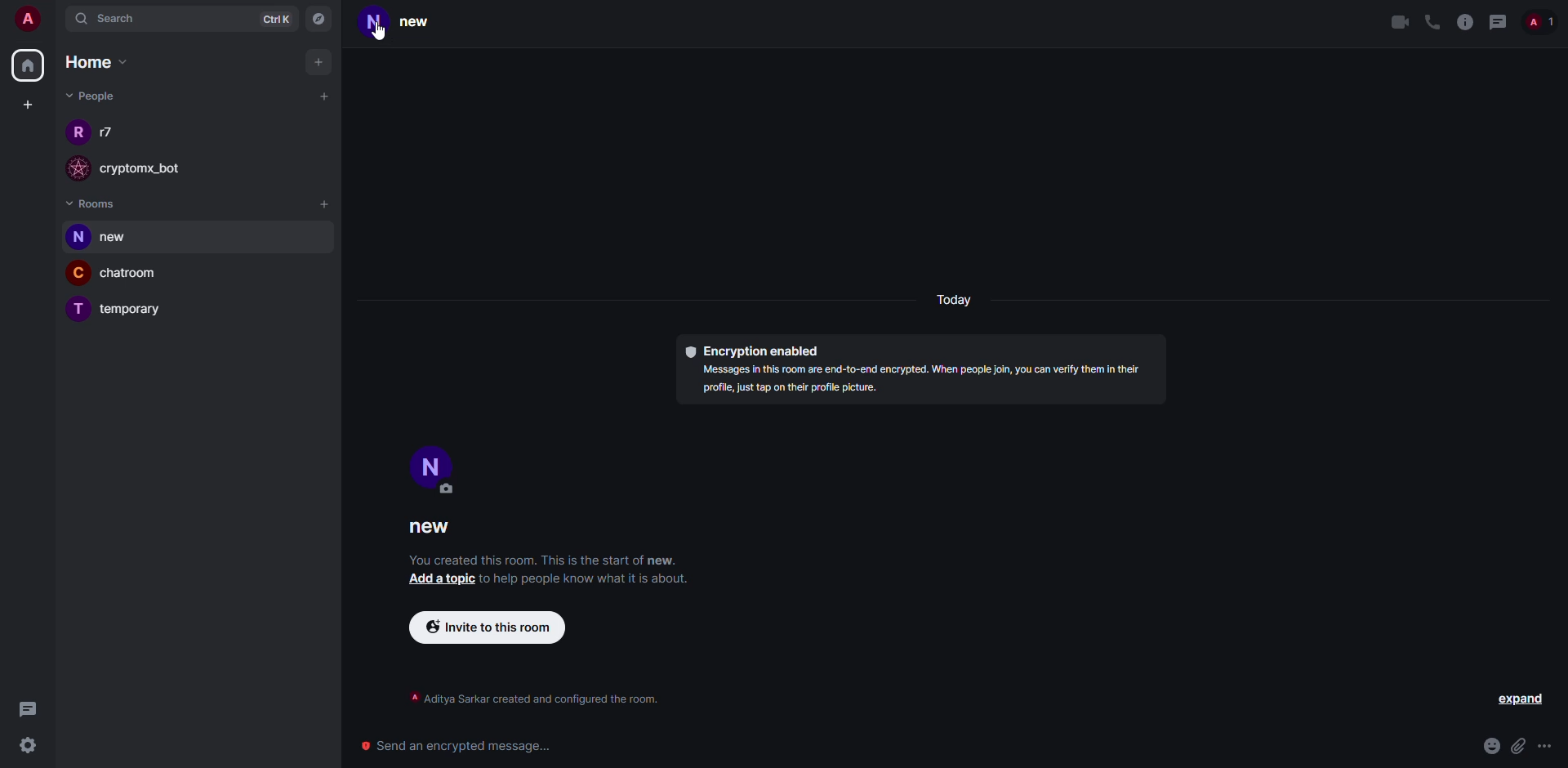  What do you see at coordinates (435, 529) in the screenshot?
I see `room` at bounding box center [435, 529].